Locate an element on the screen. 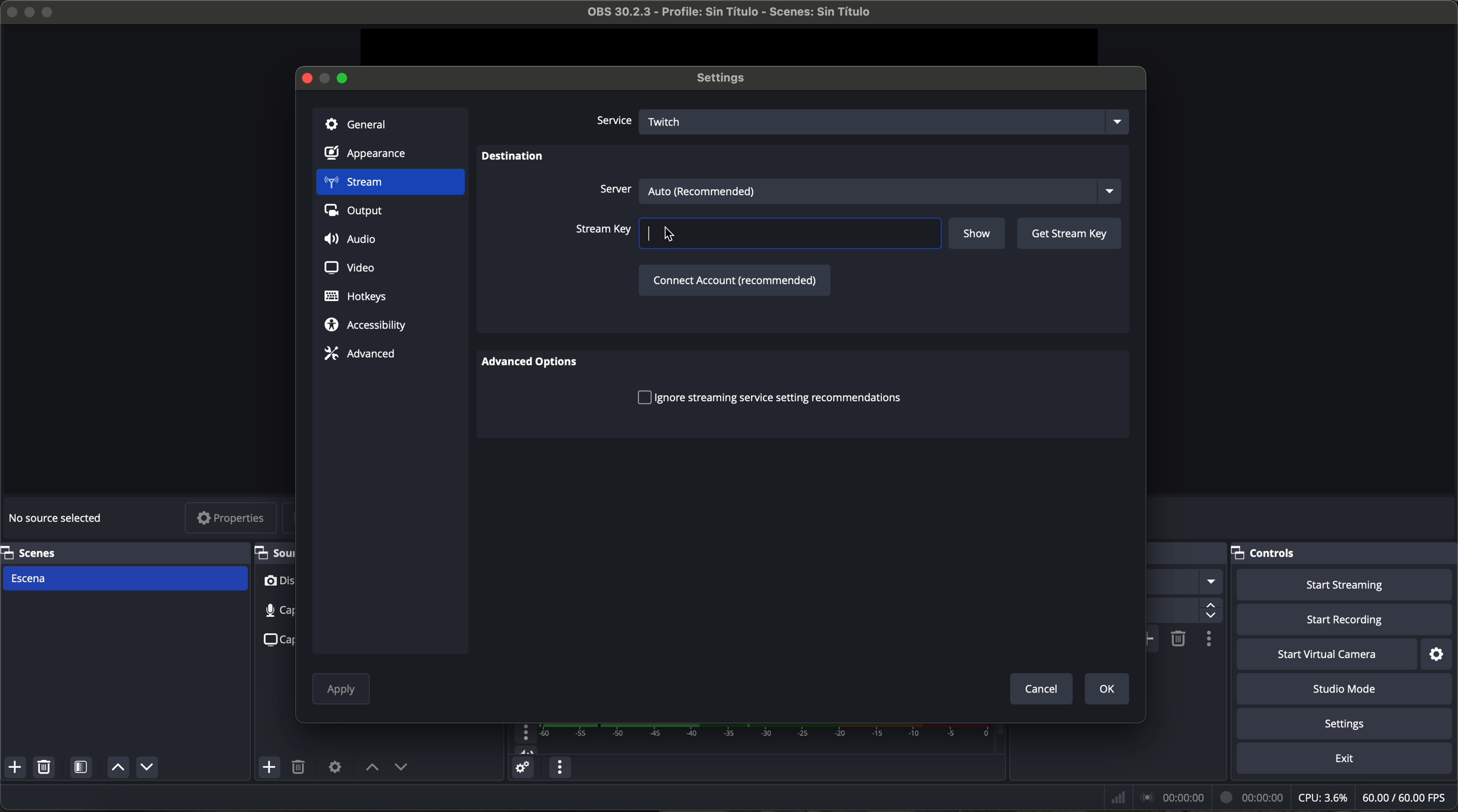  server options is located at coordinates (857, 189).